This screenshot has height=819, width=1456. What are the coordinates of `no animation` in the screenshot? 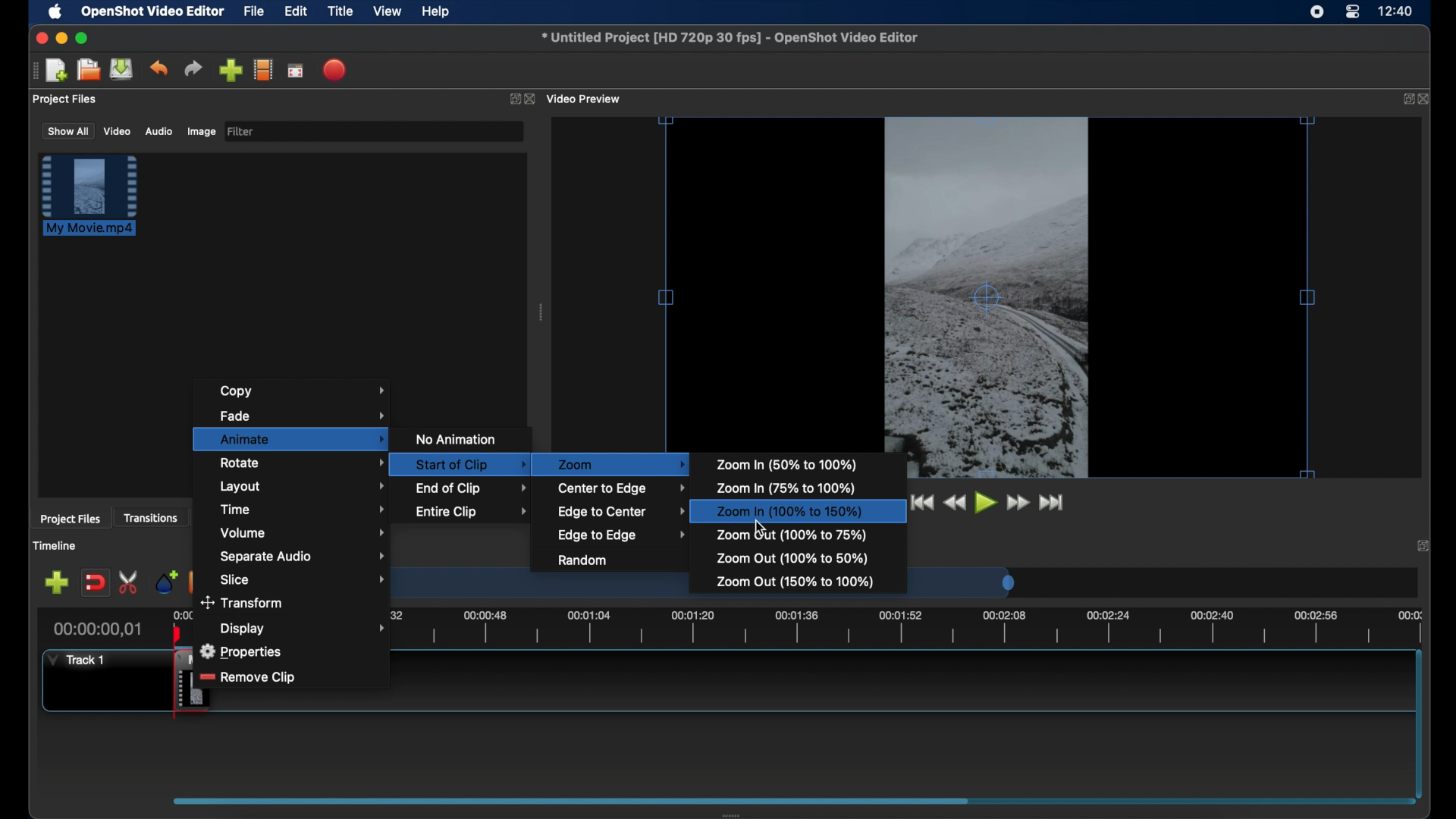 It's located at (458, 439).